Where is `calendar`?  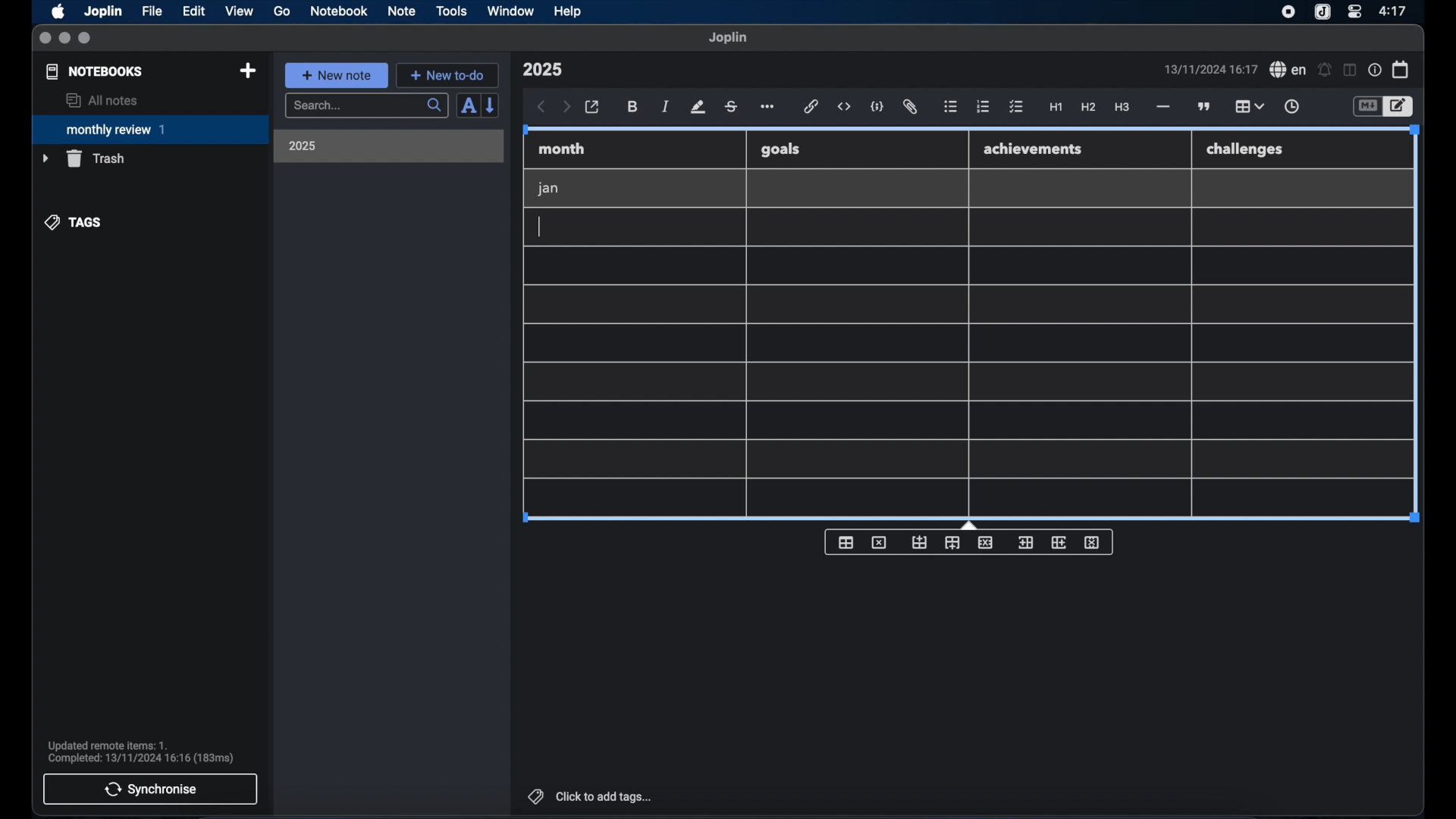 calendar is located at coordinates (1401, 69).